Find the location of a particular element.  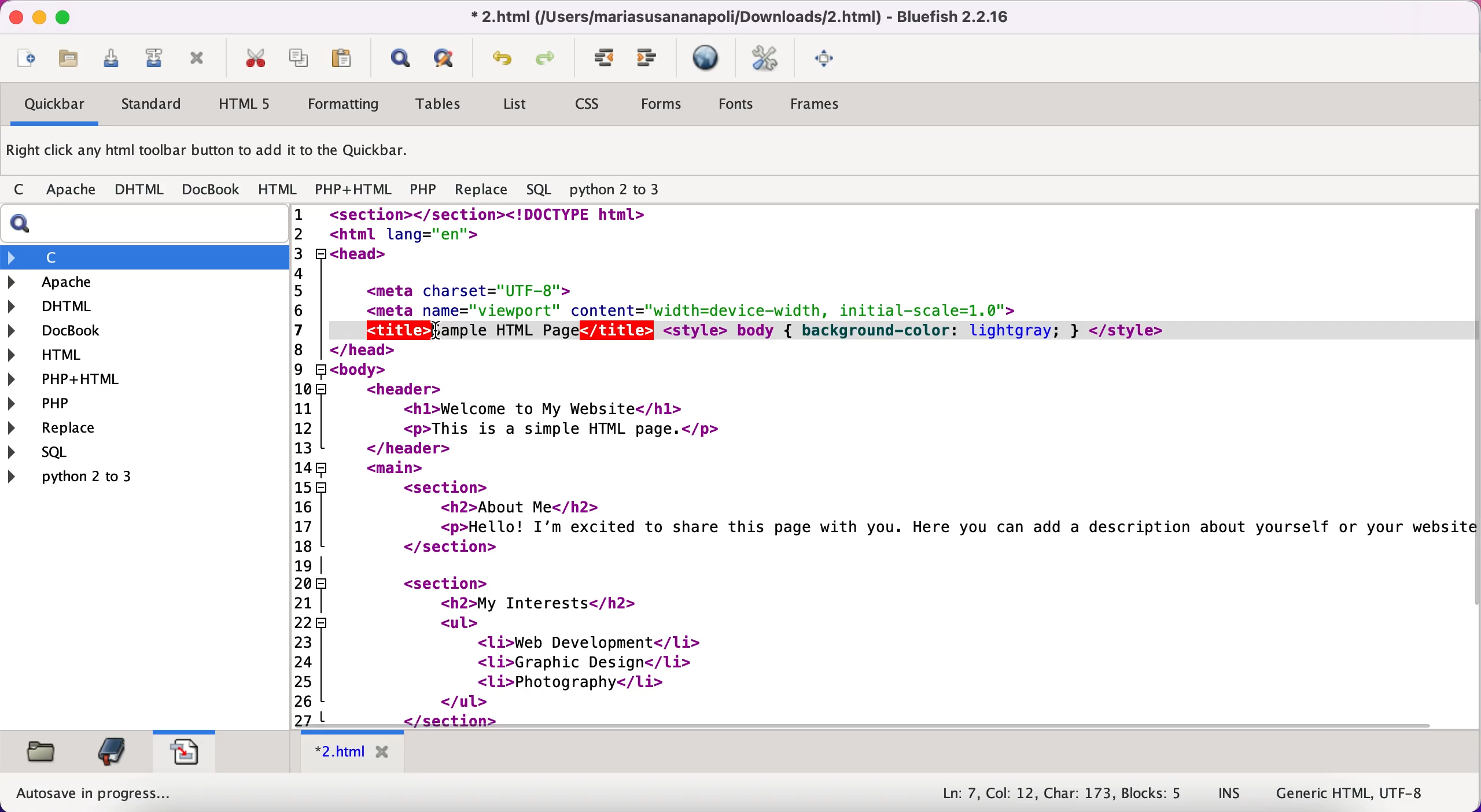

python 2 to 3 is located at coordinates (625, 190).